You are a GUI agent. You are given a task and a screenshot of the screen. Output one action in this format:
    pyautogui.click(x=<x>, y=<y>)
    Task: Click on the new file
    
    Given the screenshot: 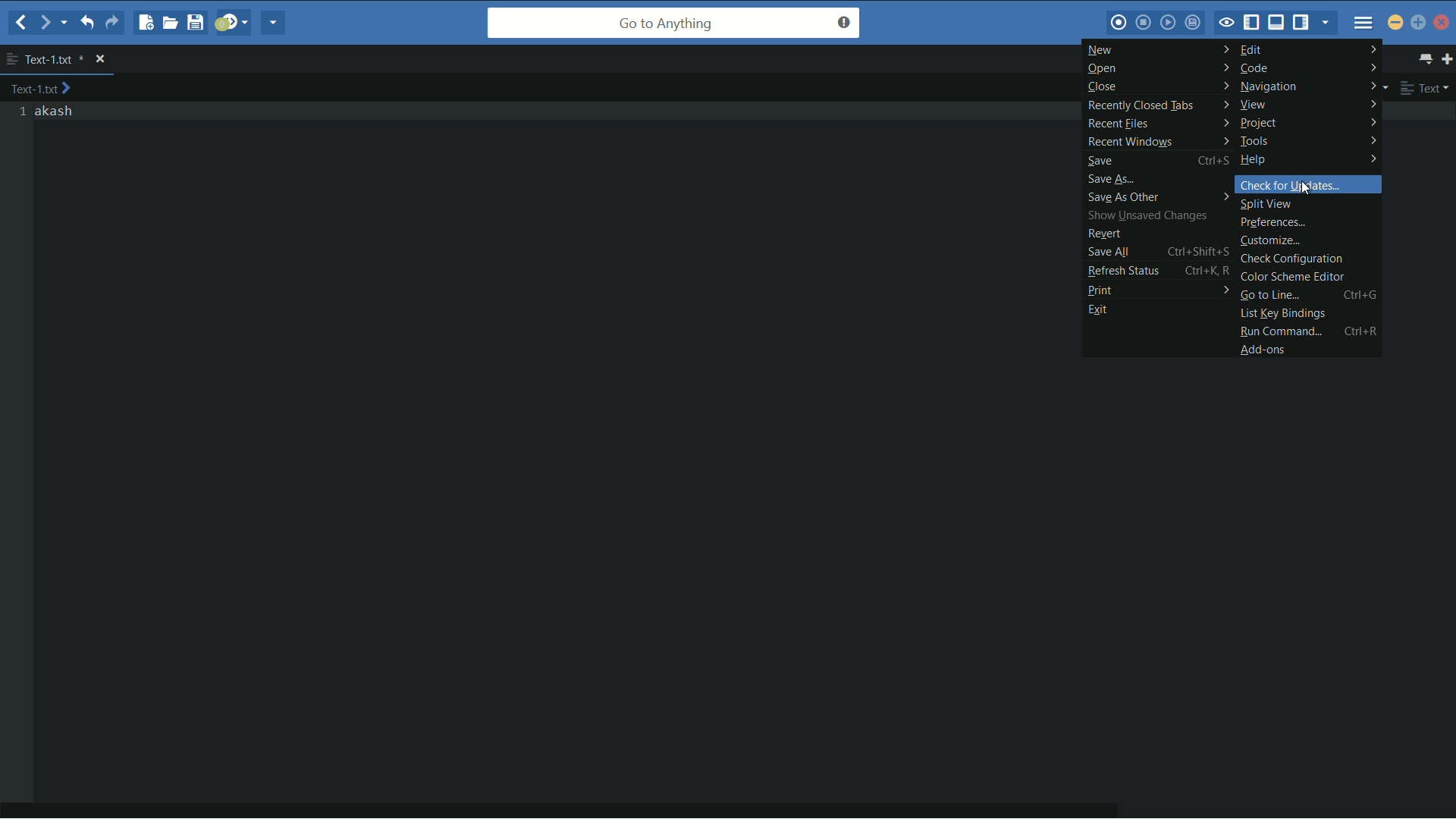 What is the action you would take?
    pyautogui.click(x=146, y=24)
    